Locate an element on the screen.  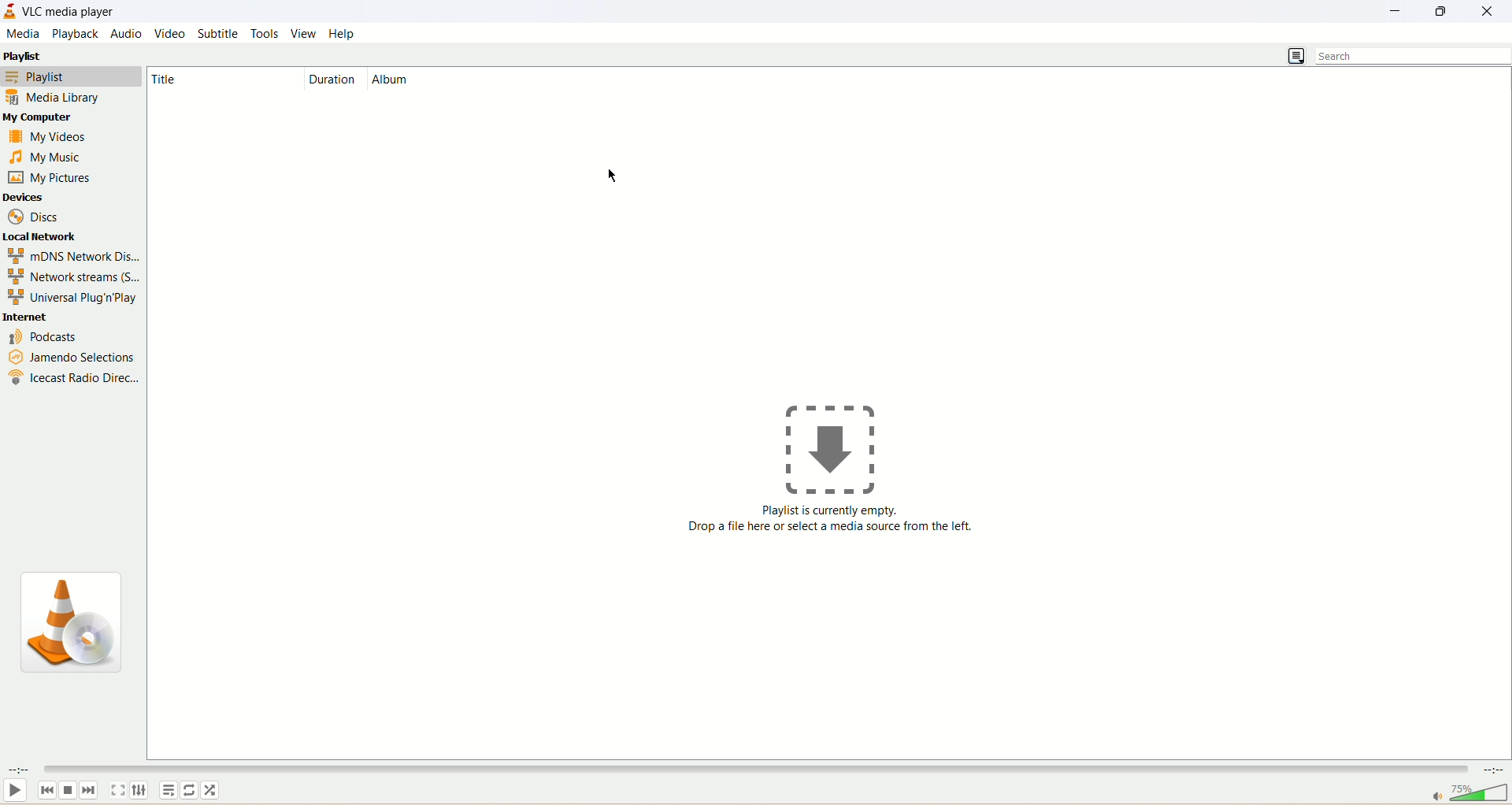
time left is located at coordinates (1495, 770).